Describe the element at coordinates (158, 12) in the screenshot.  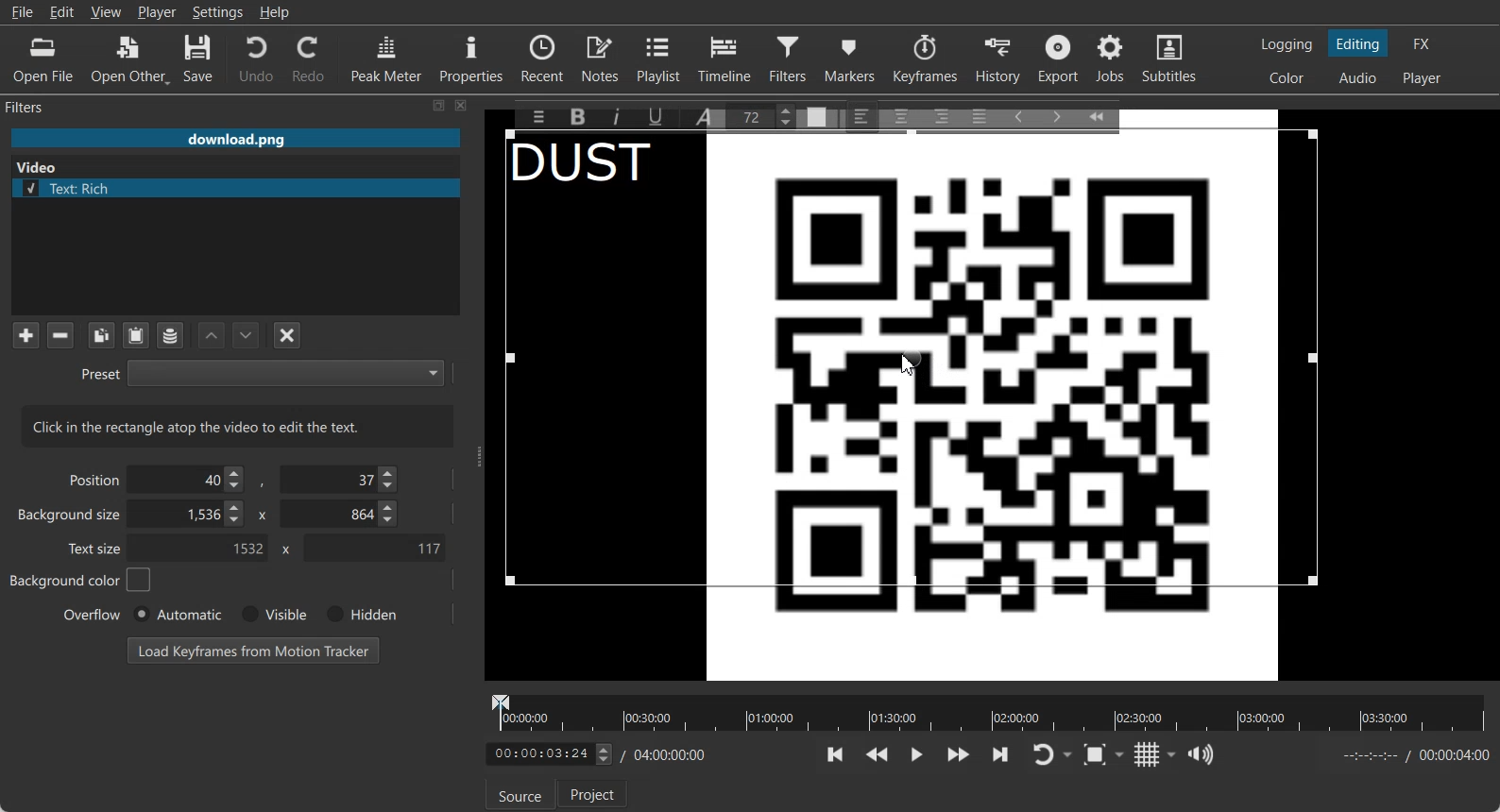
I see `Player` at that location.